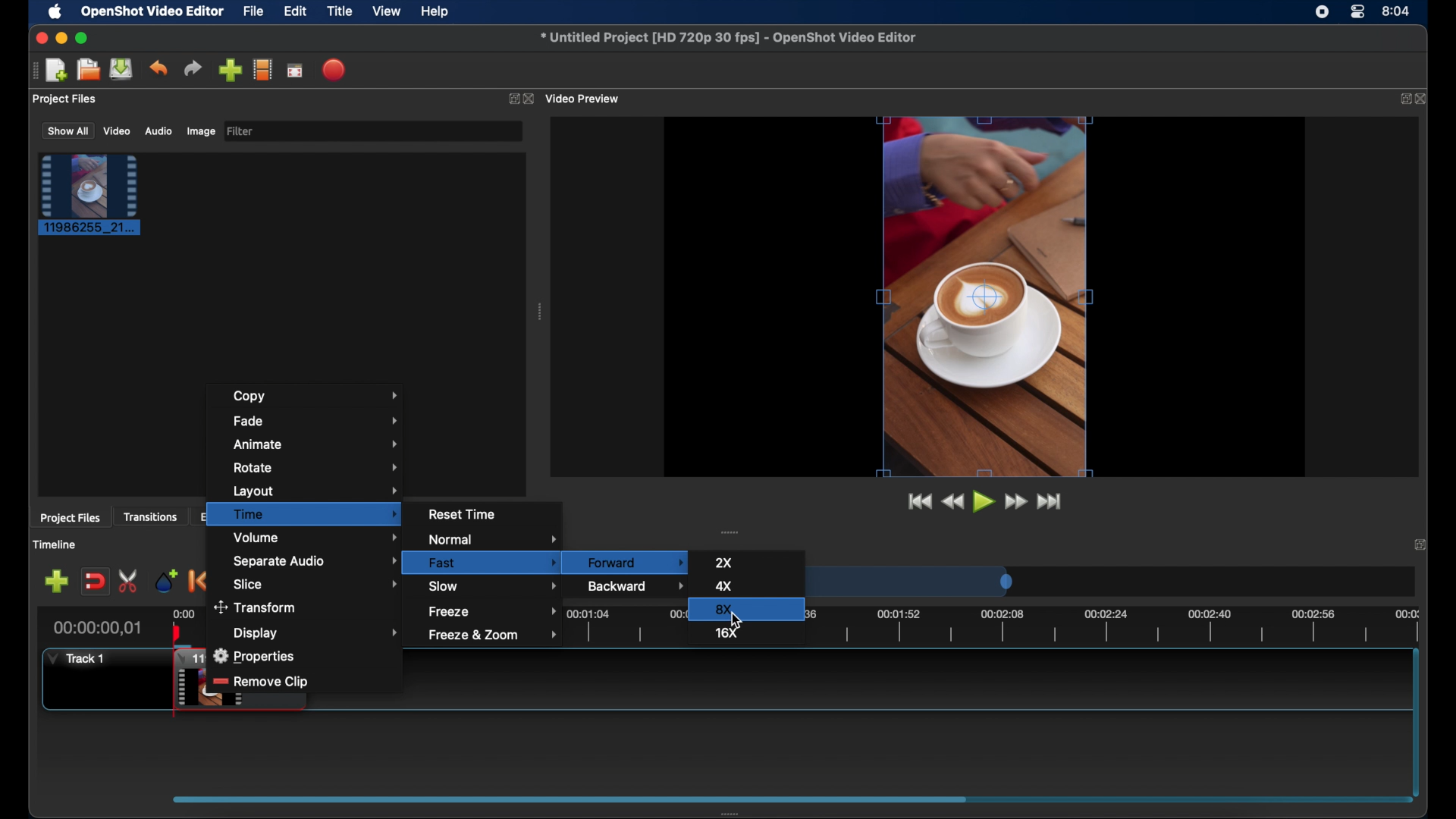 Image resolution: width=1456 pixels, height=819 pixels. Describe the element at coordinates (58, 69) in the screenshot. I see `new project` at that location.